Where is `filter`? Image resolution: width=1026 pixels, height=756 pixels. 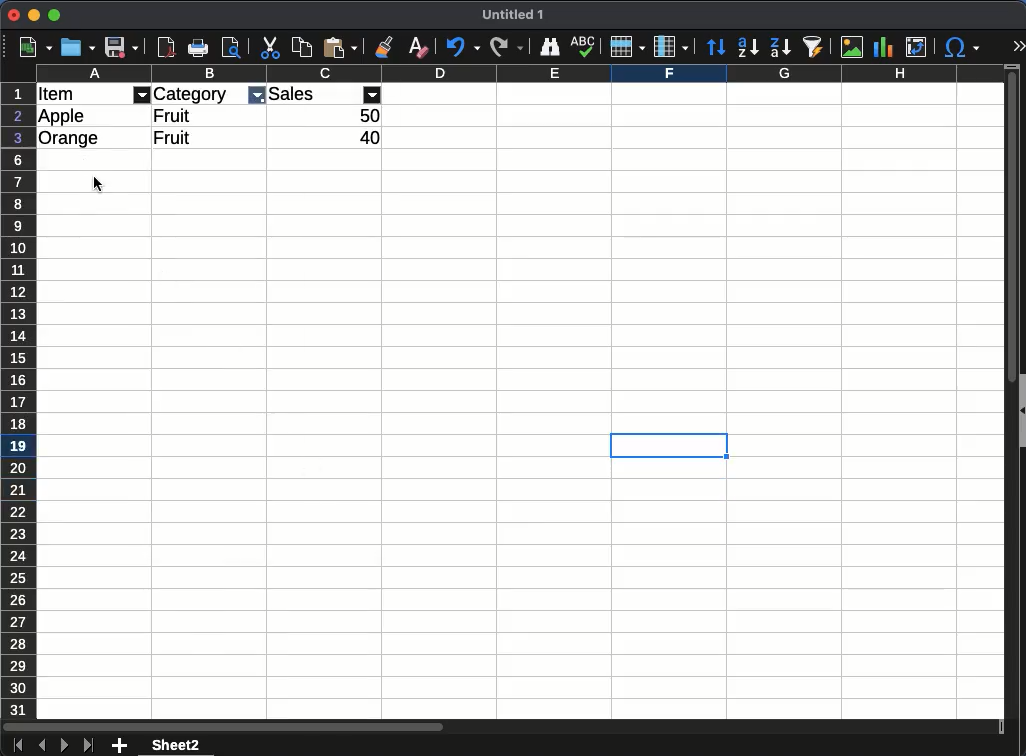 filter is located at coordinates (373, 94).